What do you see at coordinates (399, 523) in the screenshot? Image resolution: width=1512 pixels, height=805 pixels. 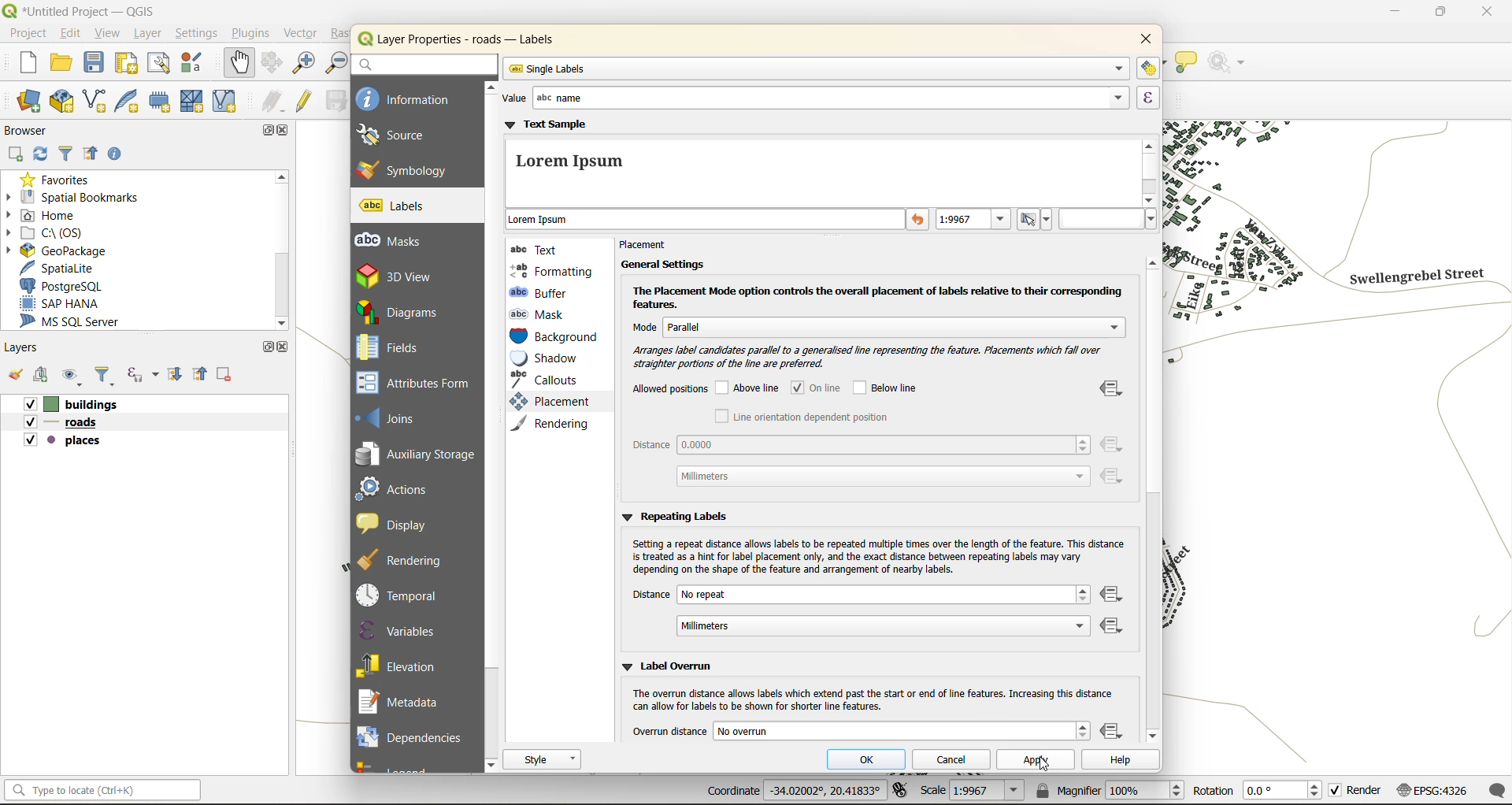 I see `display` at bounding box center [399, 523].